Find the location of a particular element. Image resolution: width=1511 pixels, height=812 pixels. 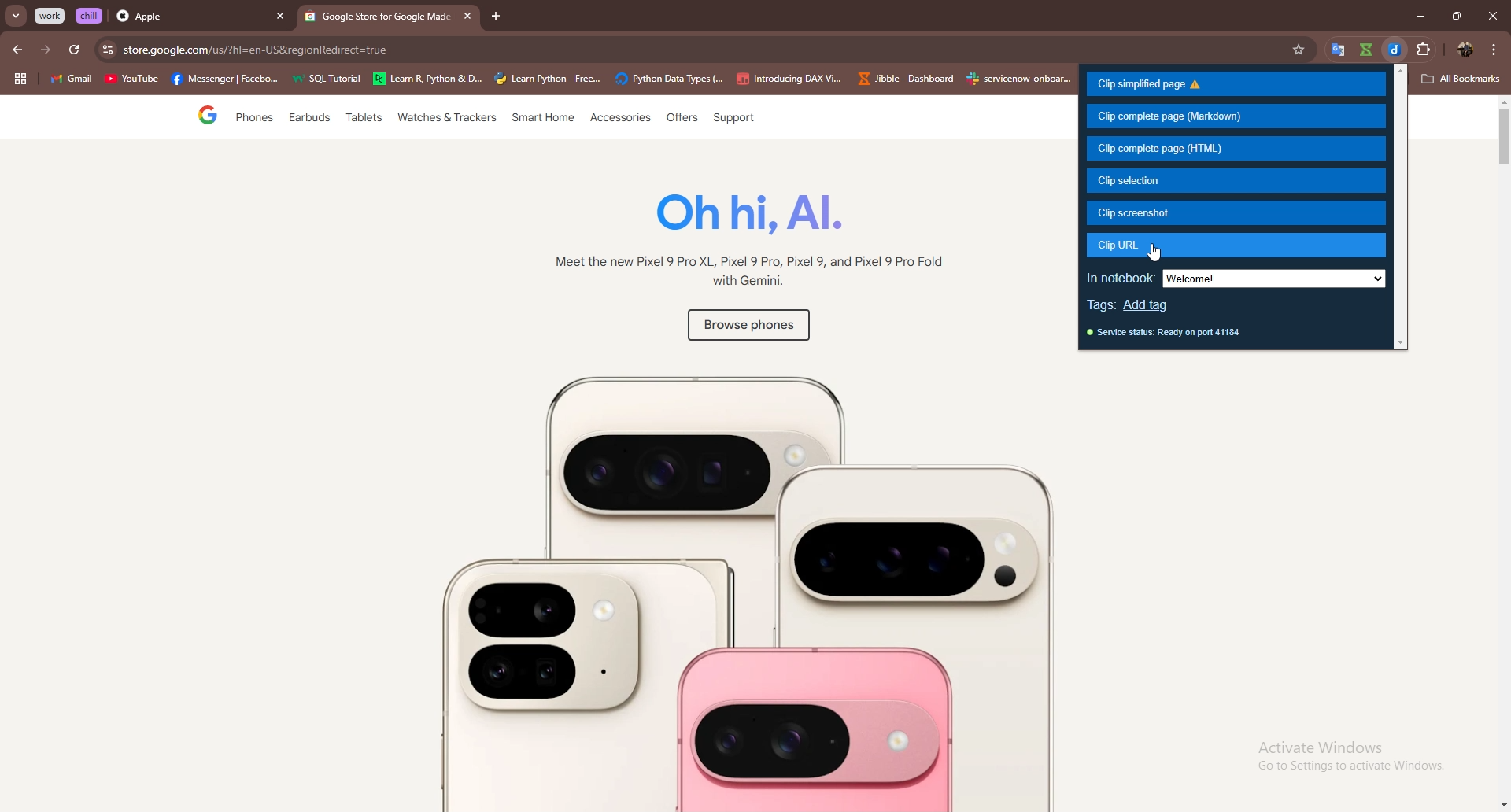

Image is located at coordinates (730, 582).